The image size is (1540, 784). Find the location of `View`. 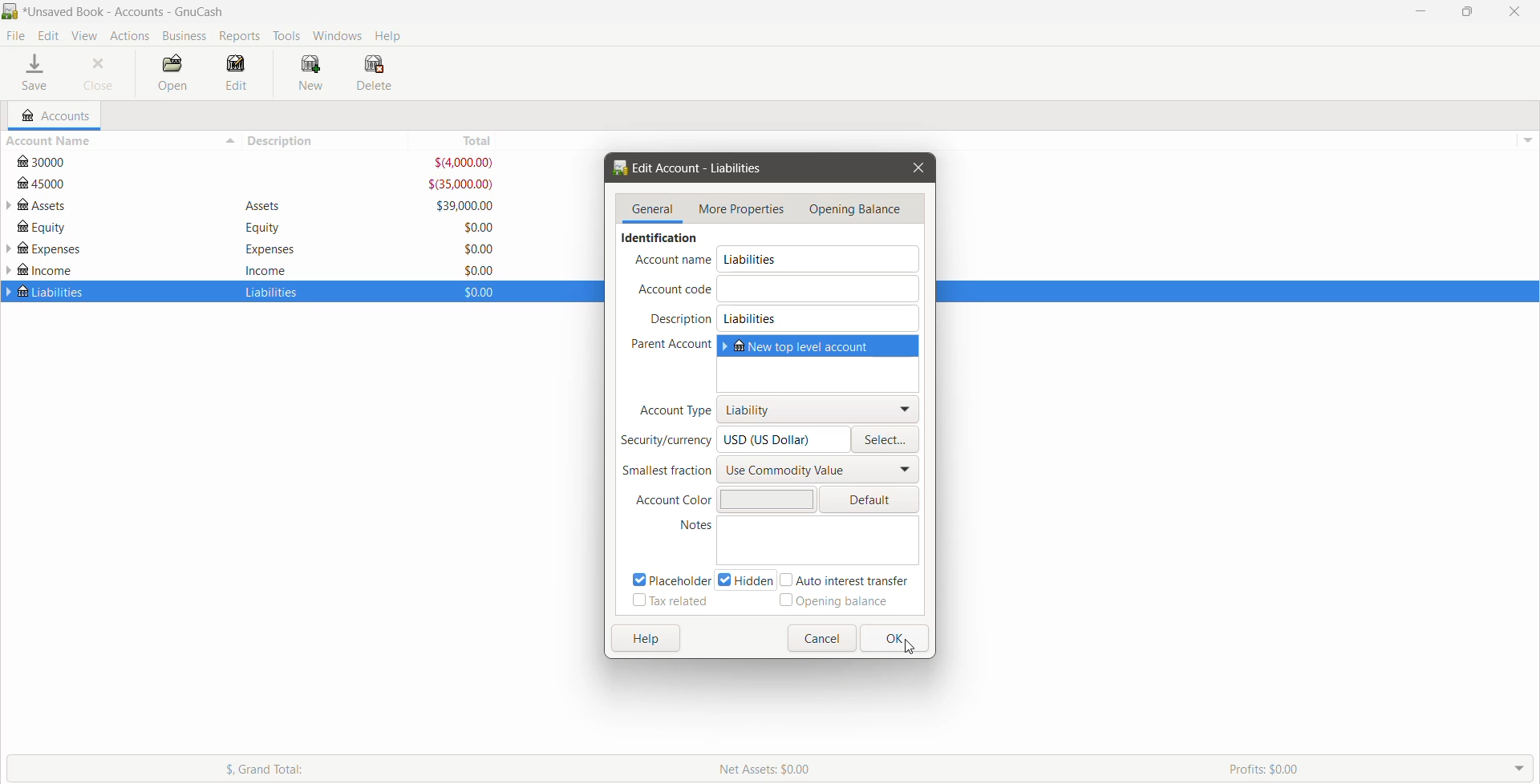

View is located at coordinates (85, 36).